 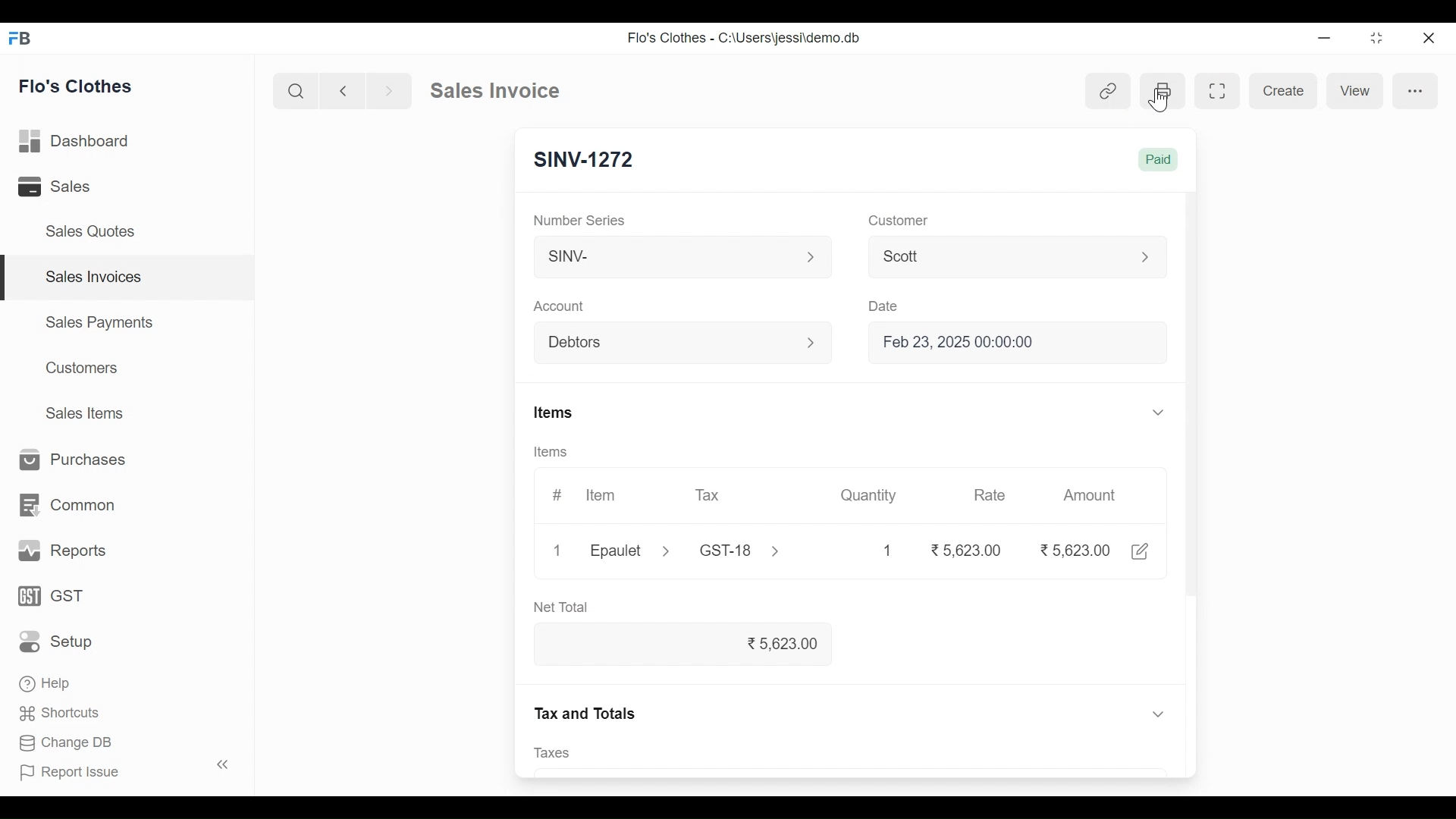 I want to click on Tax, so click(x=713, y=495).